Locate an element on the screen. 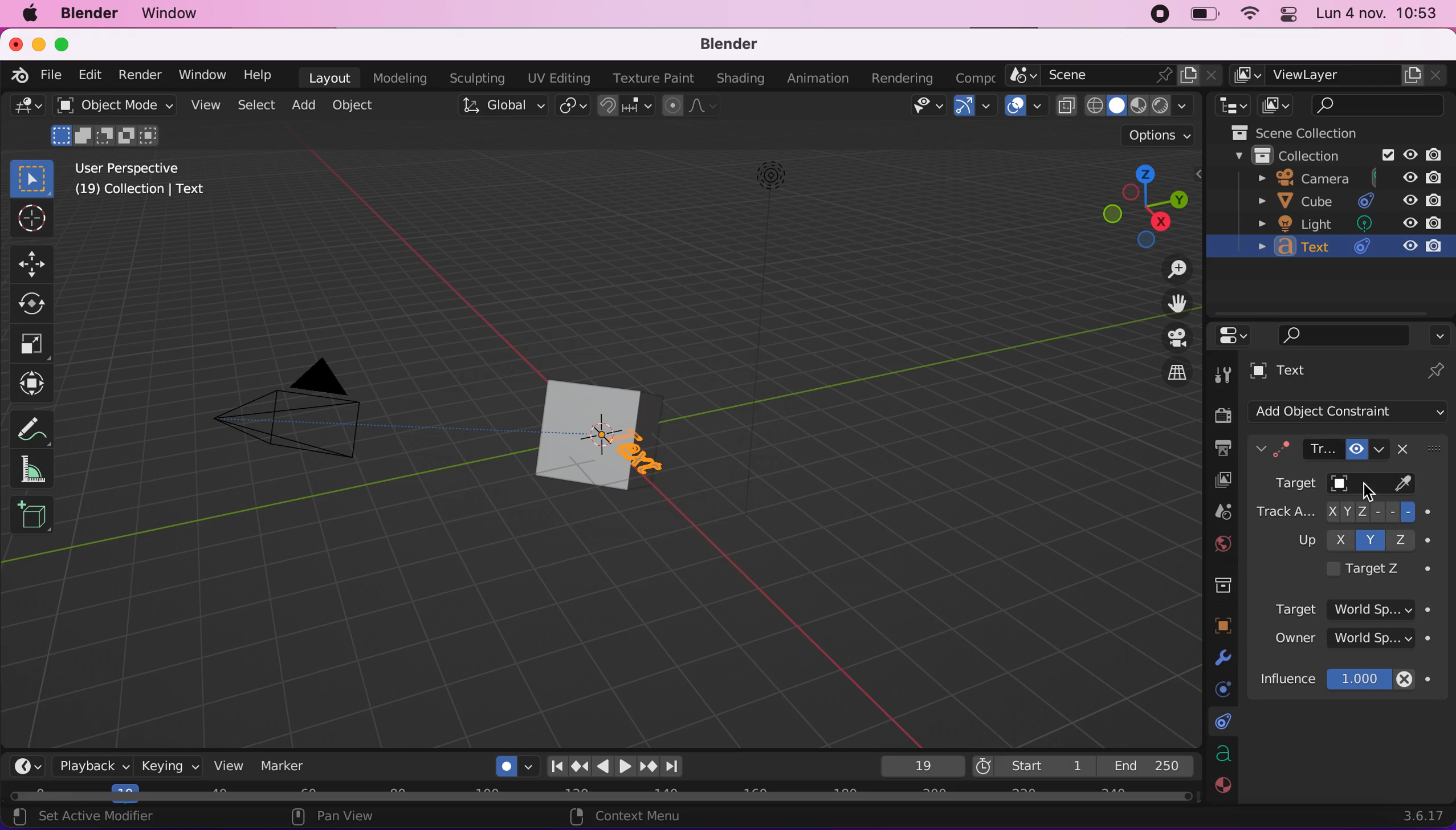 The width and height of the screenshot is (1456, 830). target z is located at coordinates (1372, 569).